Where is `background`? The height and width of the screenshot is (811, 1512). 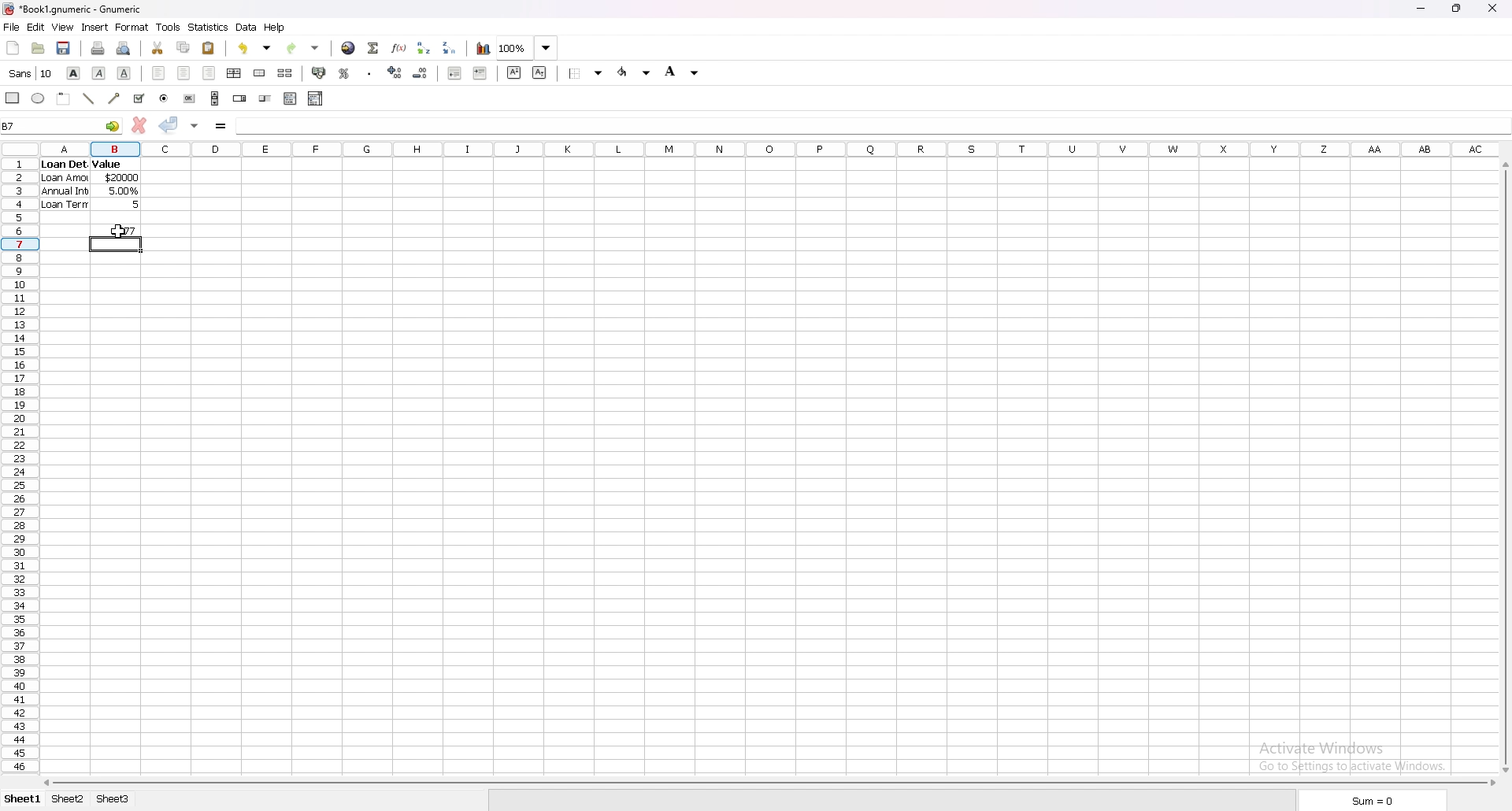 background is located at coordinates (682, 71).